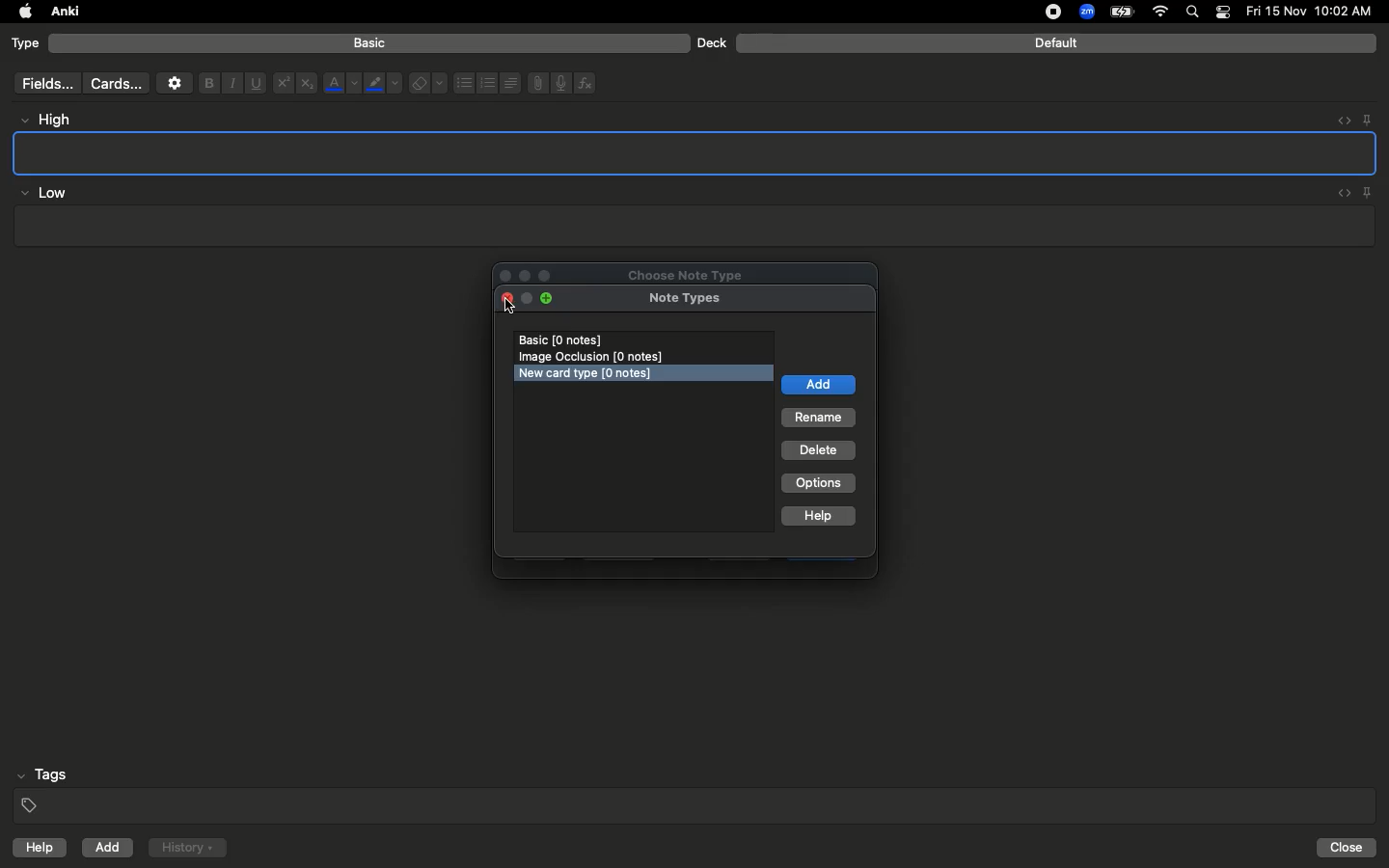 This screenshot has height=868, width=1389. What do you see at coordinates (1315, 11) in the screenshot?
I see `date and time` at bounding box center [1315, 11].